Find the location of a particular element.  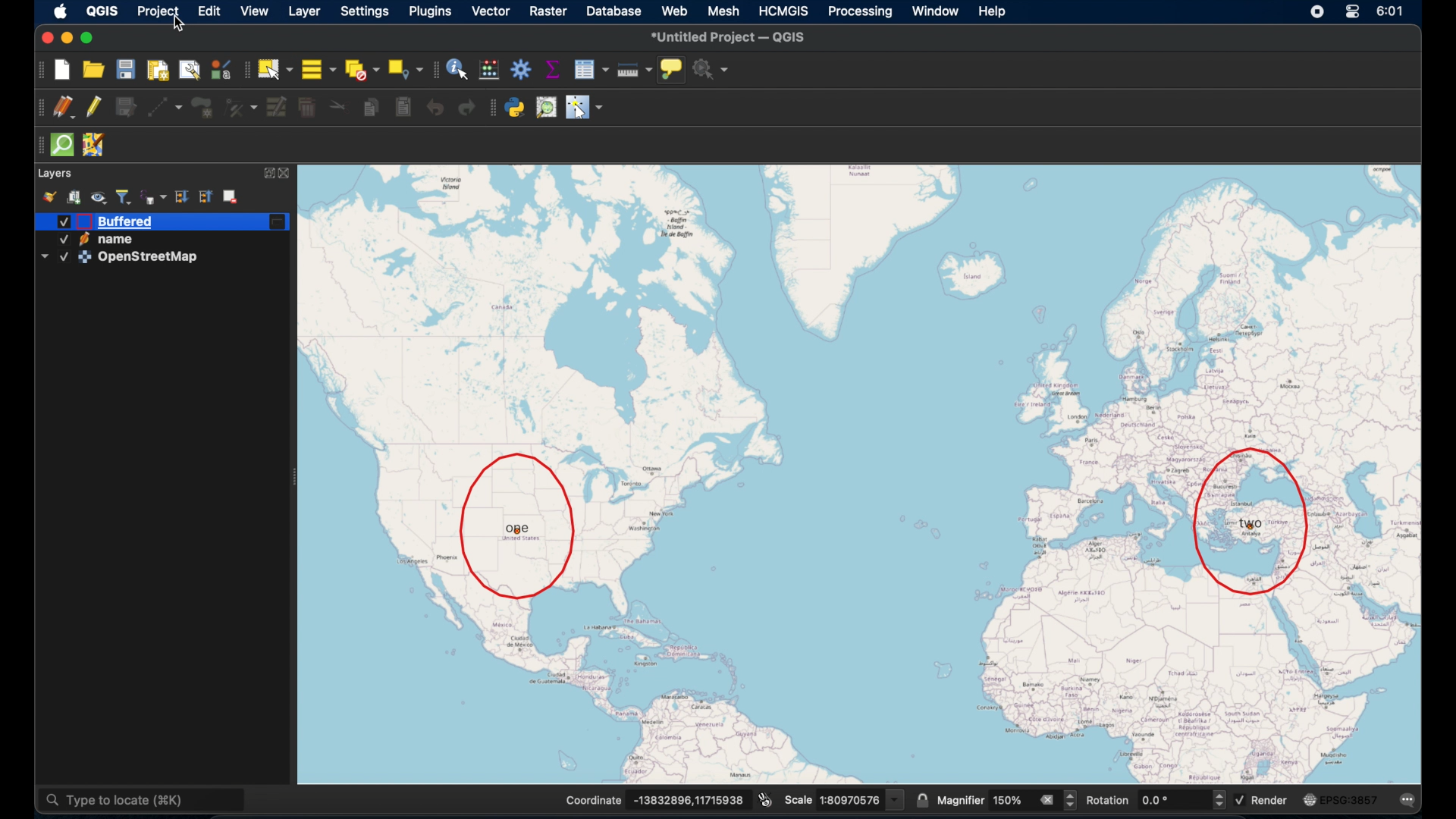

print layout is located at coordinates (158, 70).